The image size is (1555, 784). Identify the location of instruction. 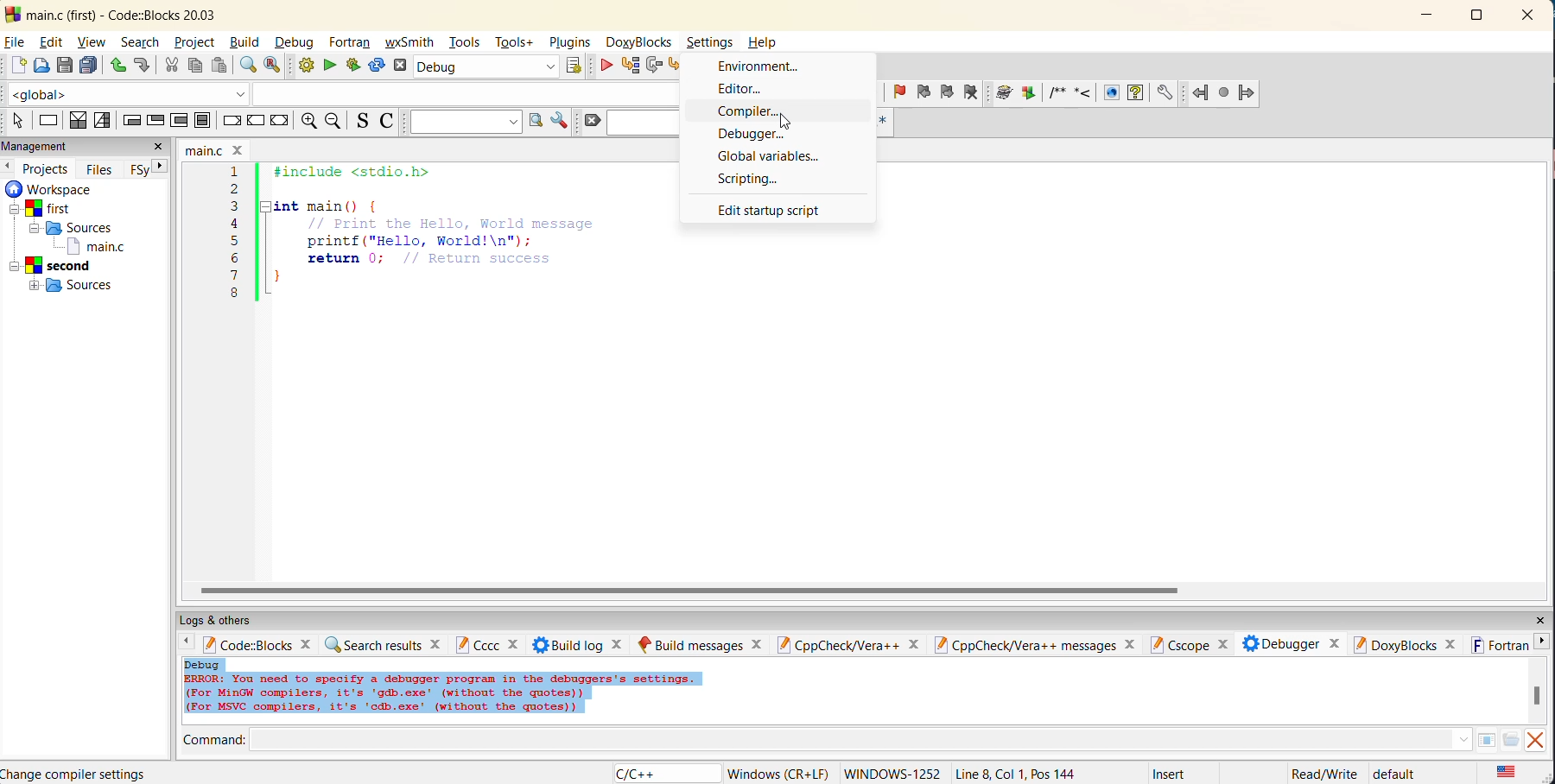
(49, 123).